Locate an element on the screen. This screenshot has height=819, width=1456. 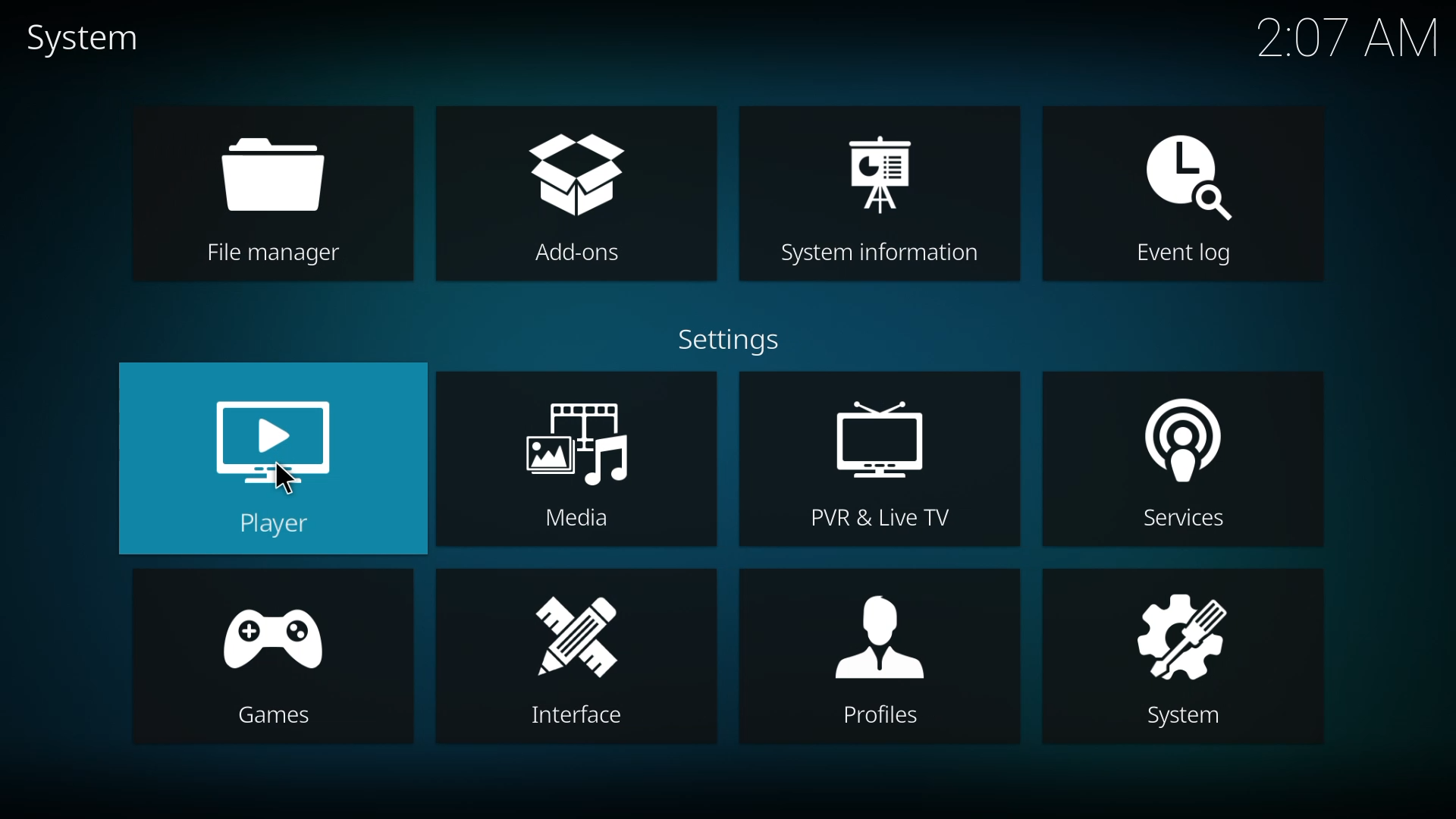
pvr & live tv is located at coordinates (880, 465).